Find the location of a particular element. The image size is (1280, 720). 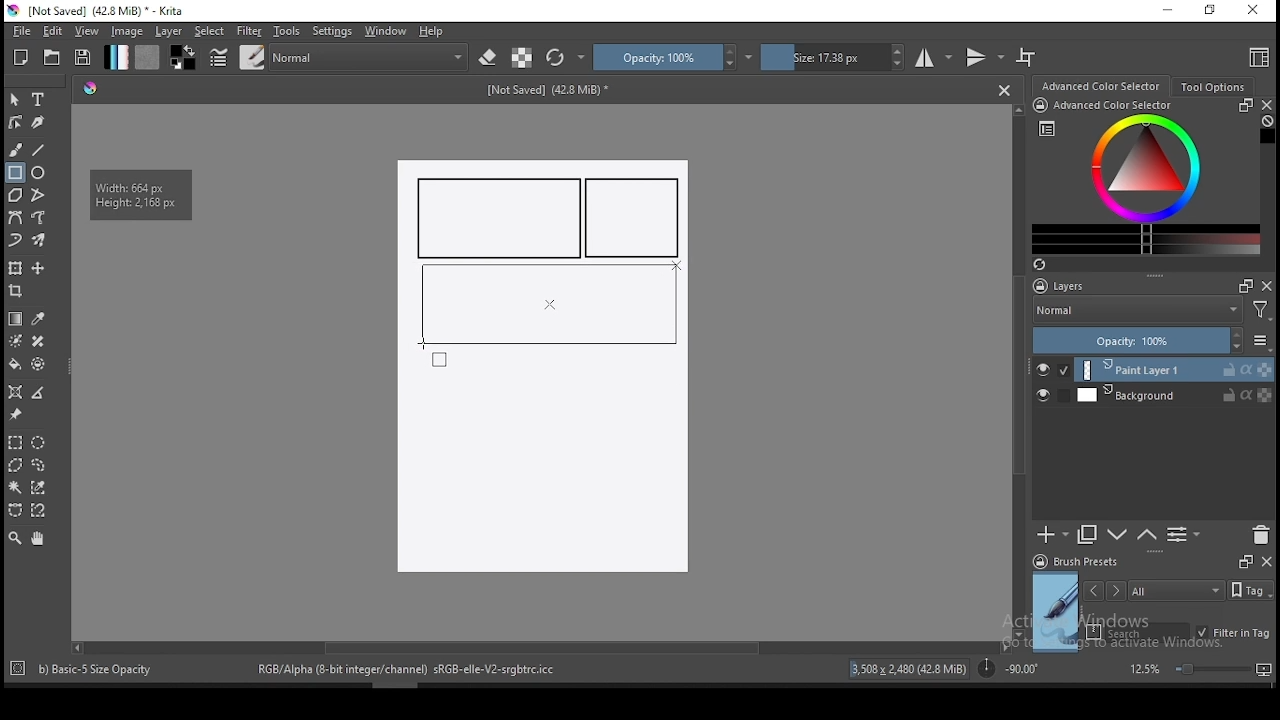

polyline tool is located at coordinates (38, 193).